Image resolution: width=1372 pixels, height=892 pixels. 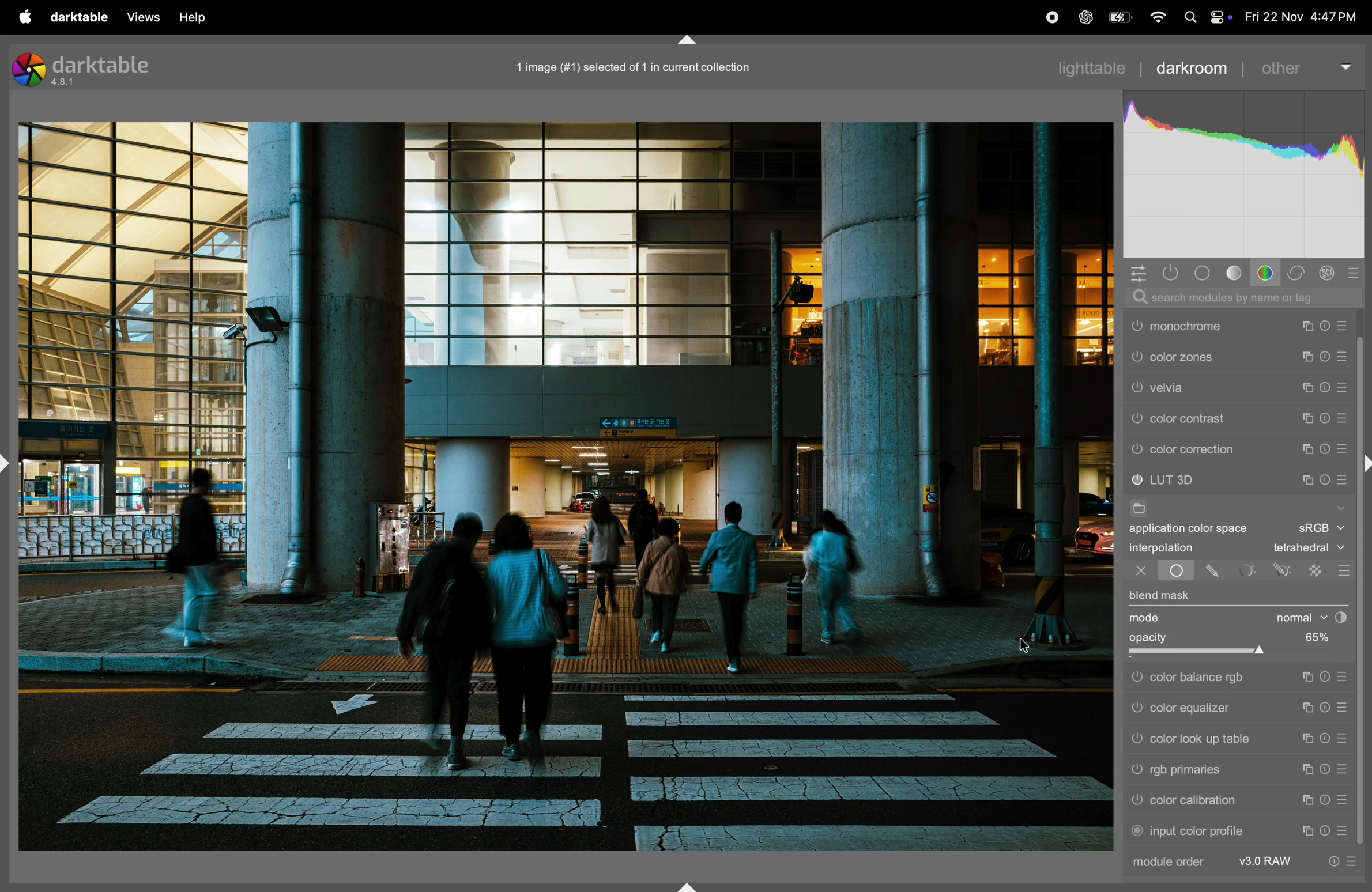 I want to click on color equalizer, so click(x=1211, y=709).